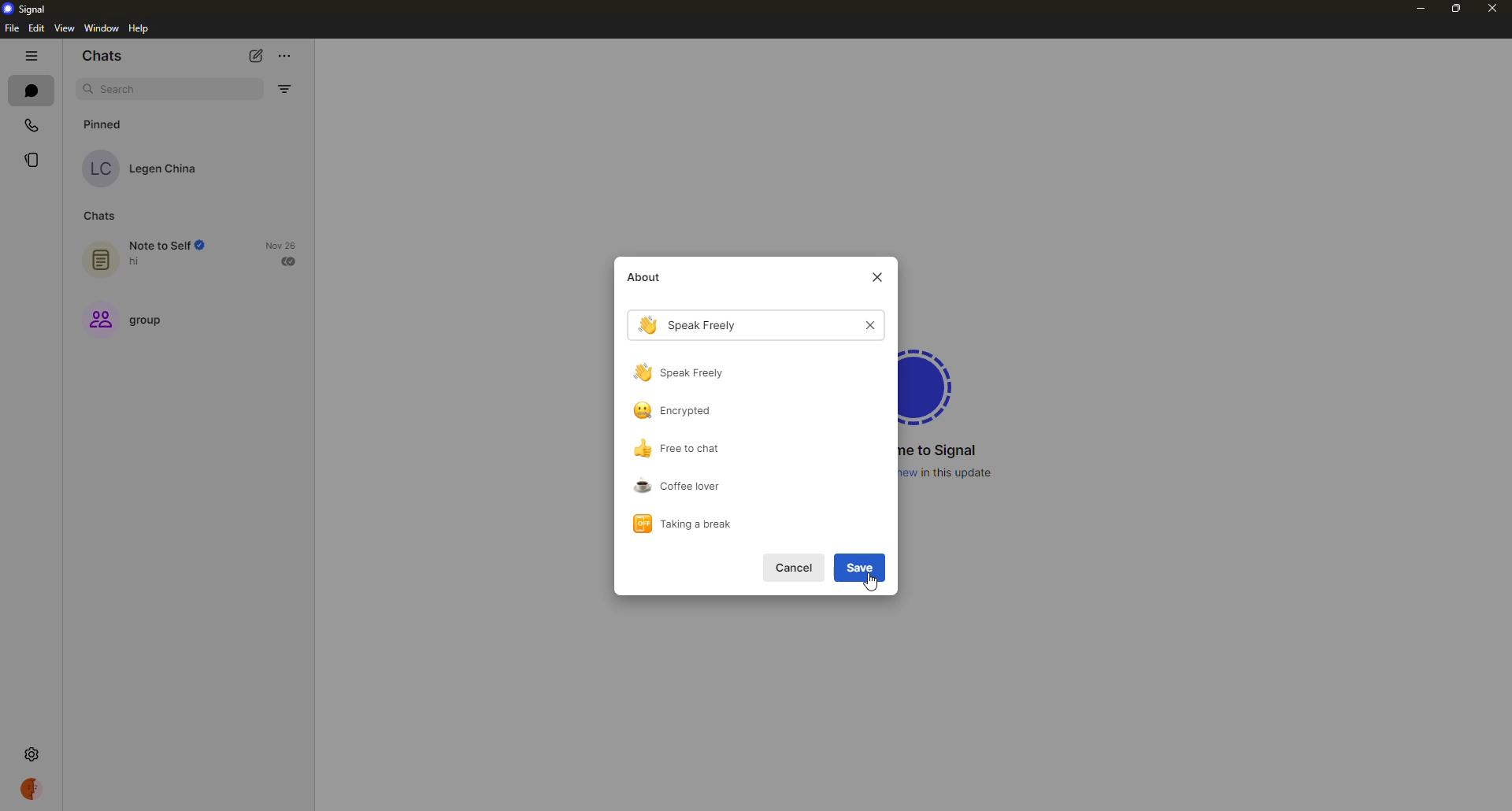  Describe the element at coordinates (942, 450) in the screenshot. I see `welcome` at that location.